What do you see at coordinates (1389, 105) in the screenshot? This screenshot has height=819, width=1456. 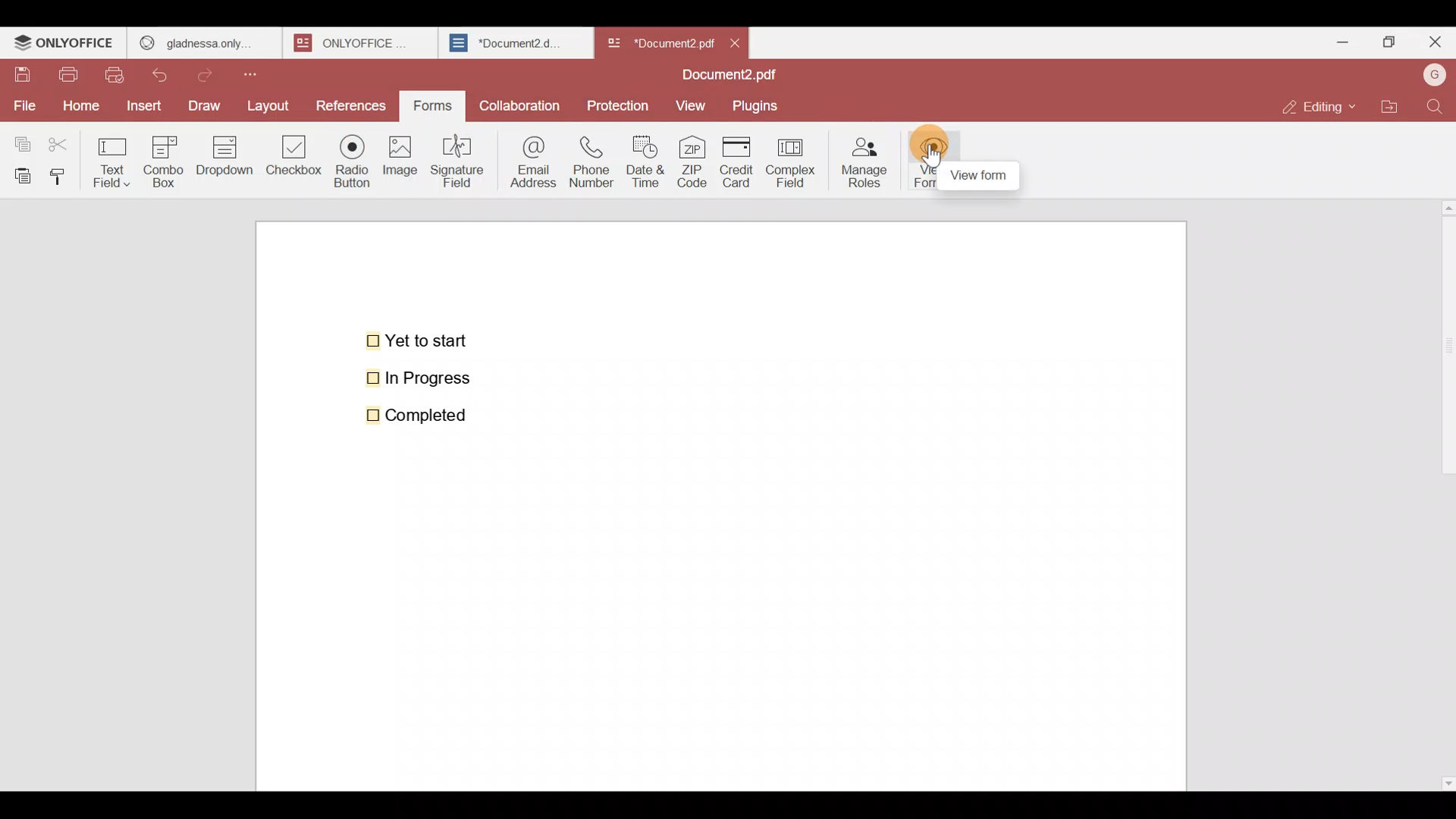 I see `Open file location` at bounding box center [1389, 105].